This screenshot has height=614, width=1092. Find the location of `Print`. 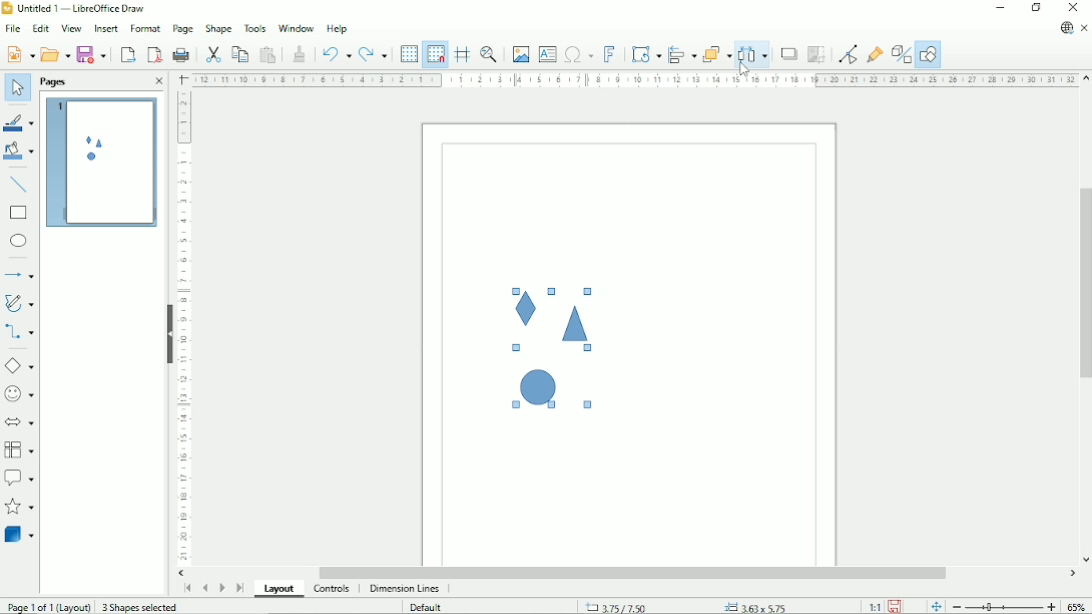

Print is located at coordinates (182, 53).